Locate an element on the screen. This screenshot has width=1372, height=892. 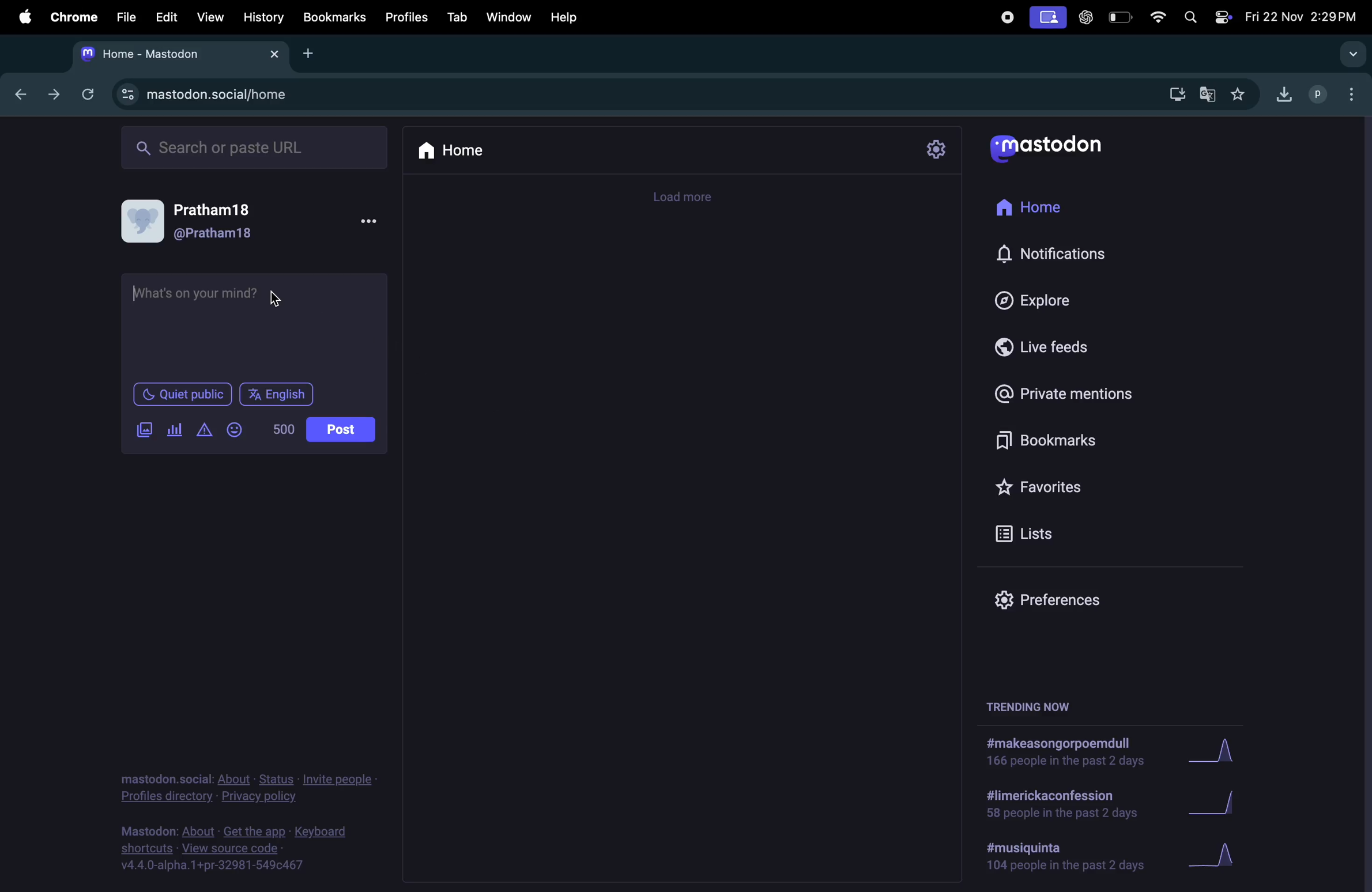
window is located at coordinates (507, 16).